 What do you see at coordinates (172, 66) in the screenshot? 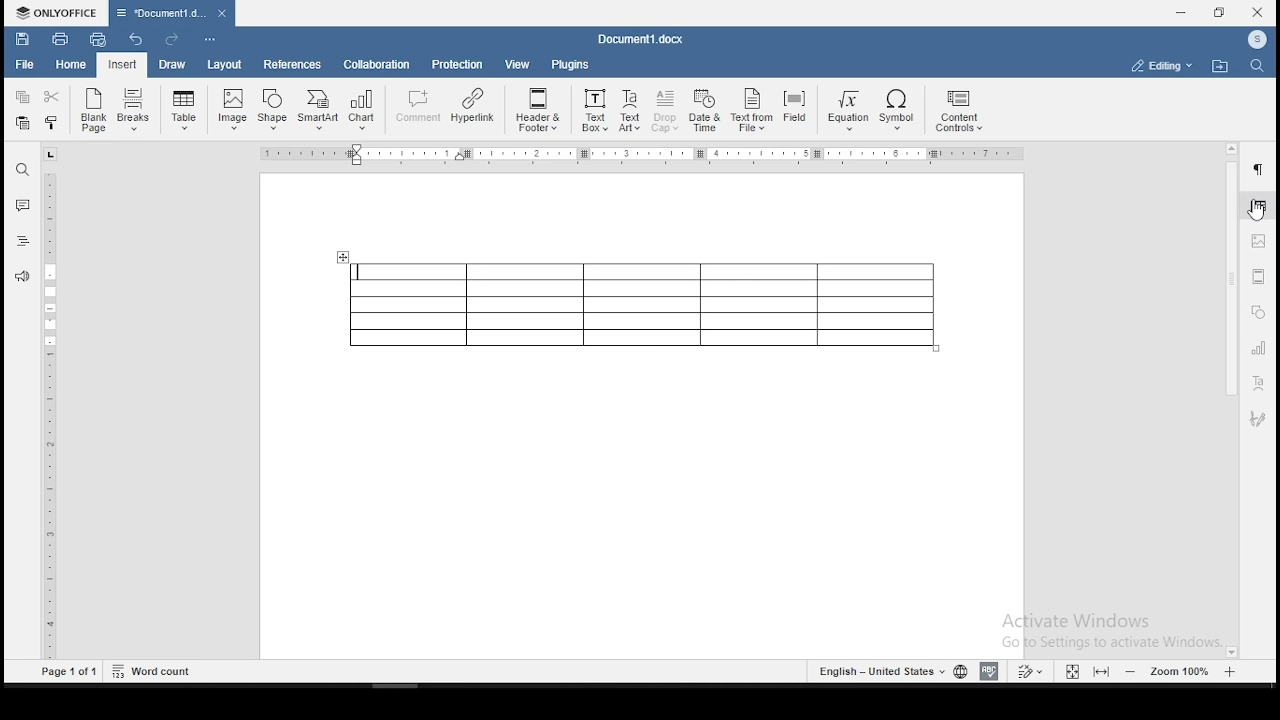
I see `draw` at bounding box center [172, 66].